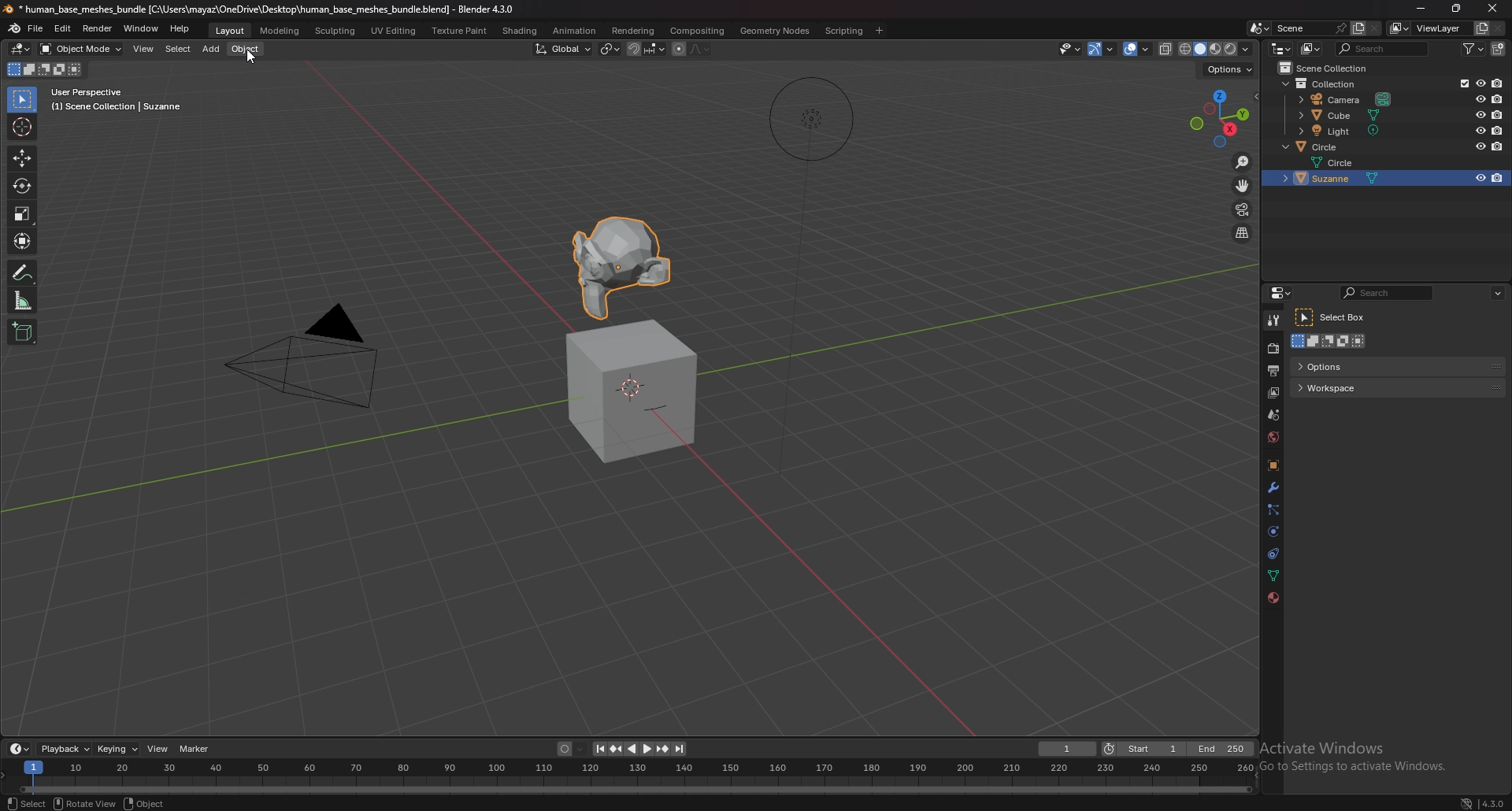  Describe the element at coordinates (1497, 179) in the screenshot. I see `disable in renders` at that location.